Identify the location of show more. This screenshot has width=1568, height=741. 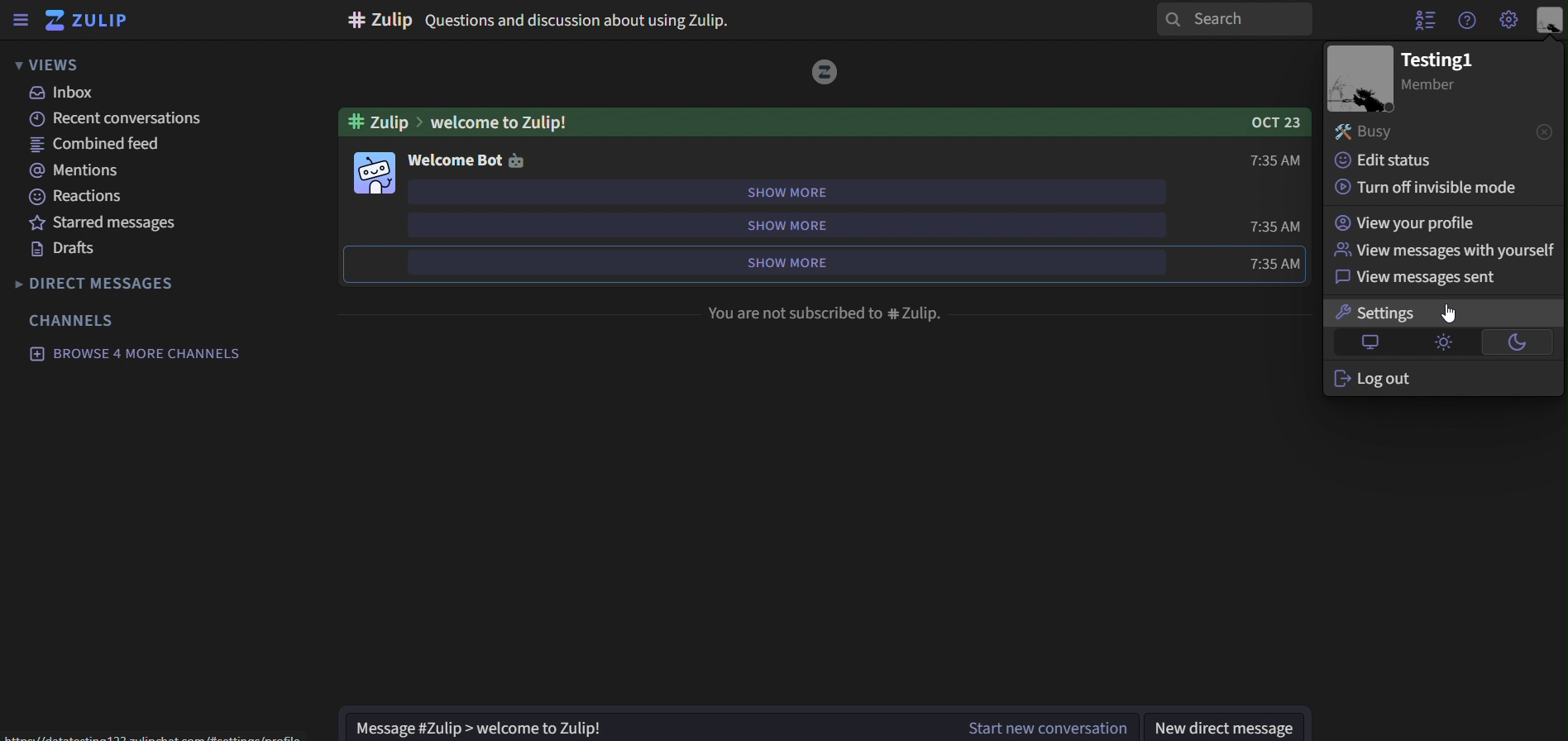
(785, 194).